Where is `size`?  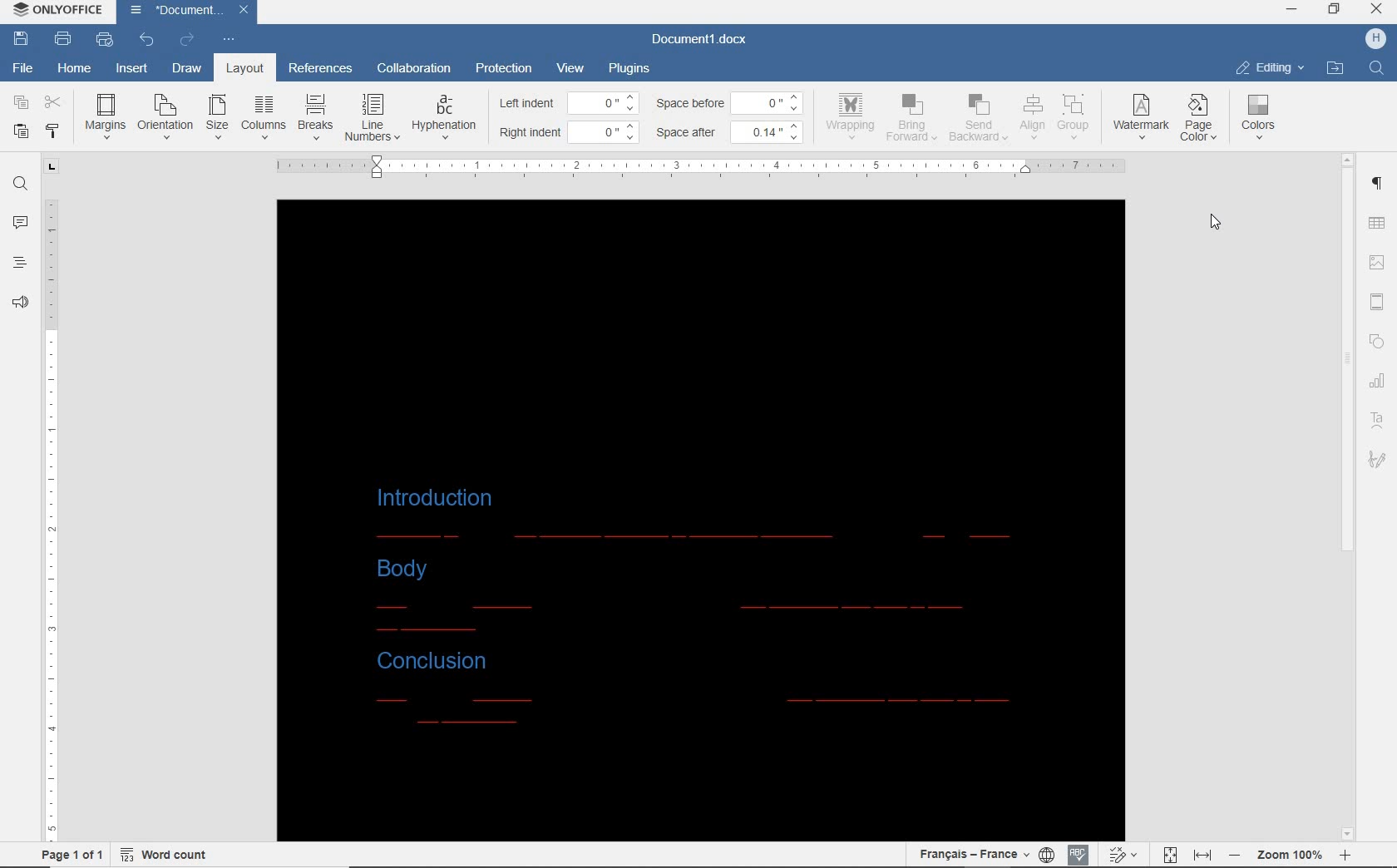 size is located at coordinates (217, 117).